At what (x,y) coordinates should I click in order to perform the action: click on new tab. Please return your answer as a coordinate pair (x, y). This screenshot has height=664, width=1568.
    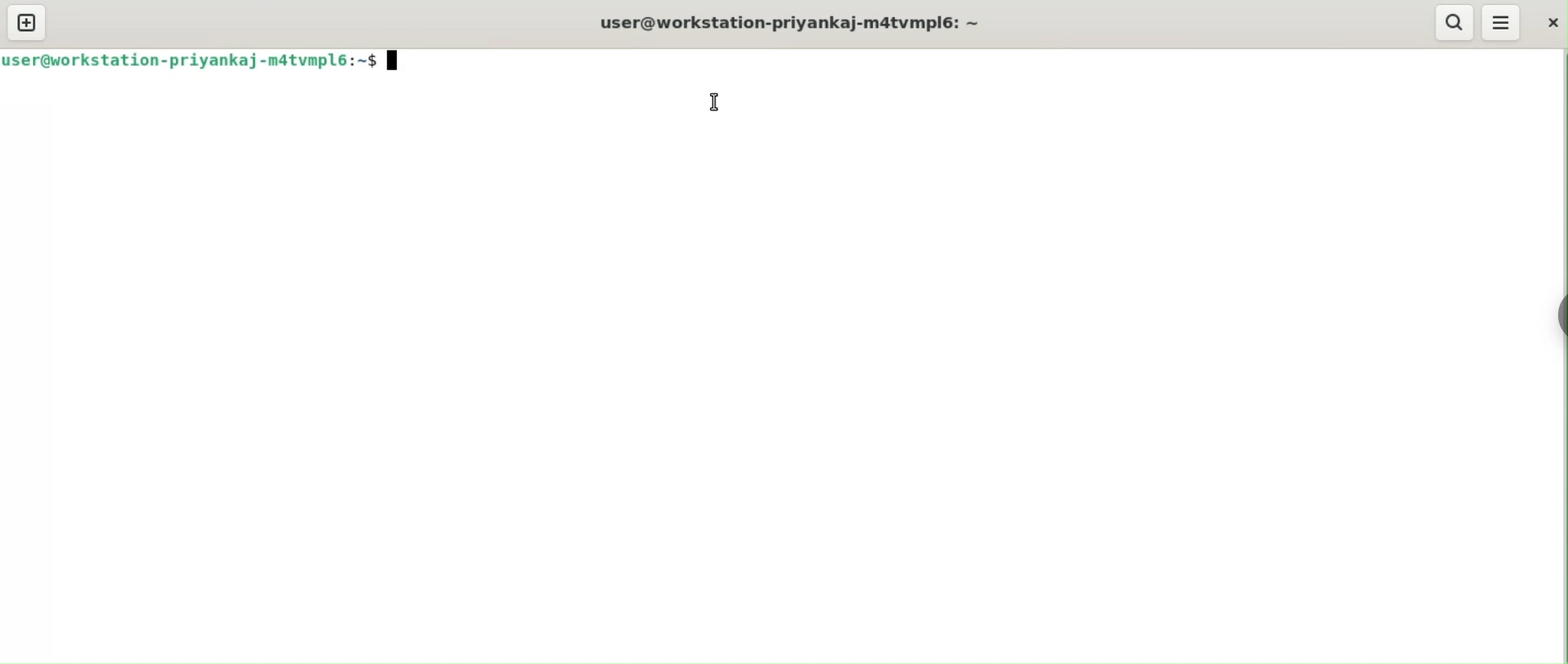
    Looking at the image, I should click on (24, 22).